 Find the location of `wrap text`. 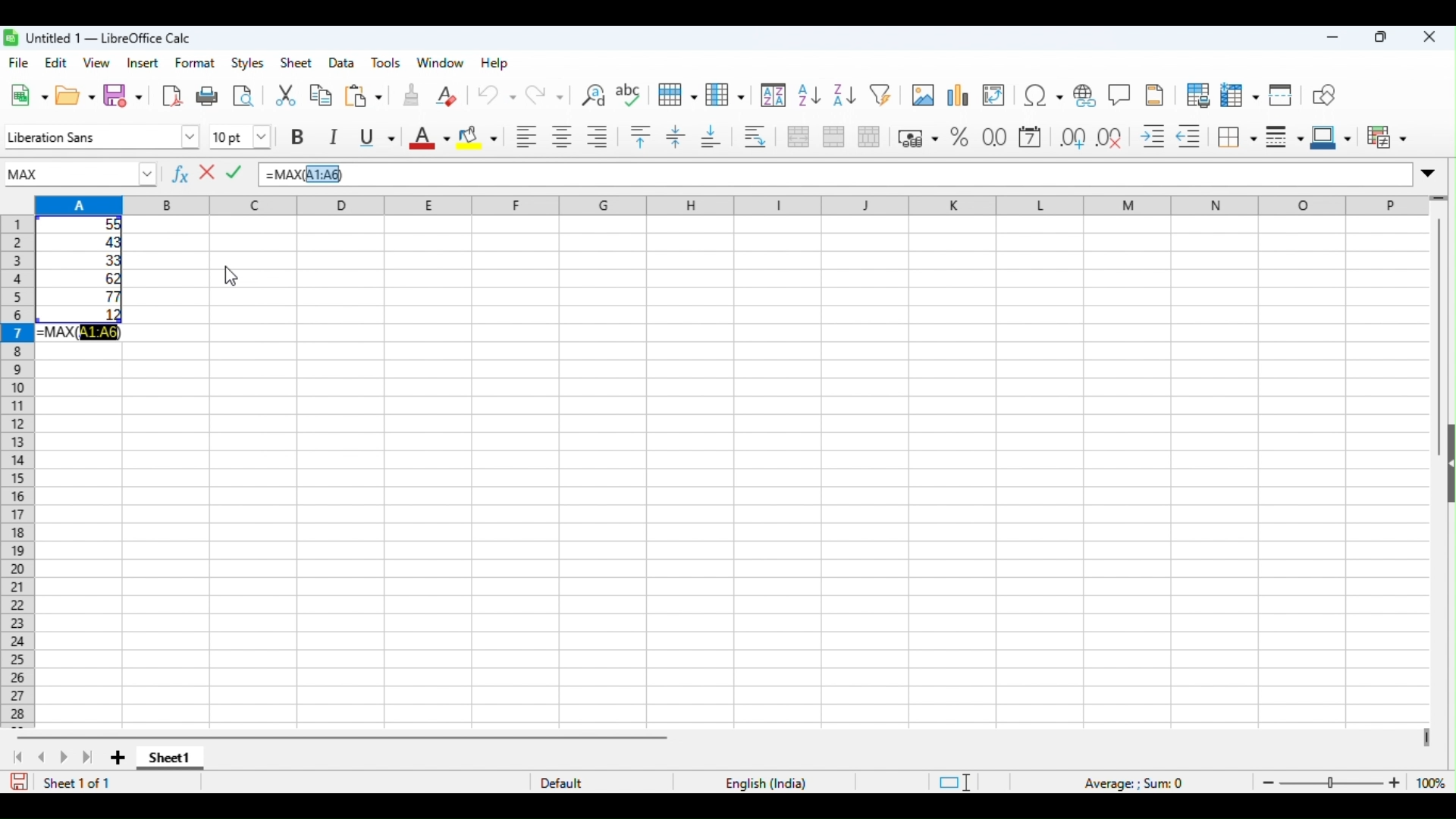

wrap text is located at coordinates (758, 136).